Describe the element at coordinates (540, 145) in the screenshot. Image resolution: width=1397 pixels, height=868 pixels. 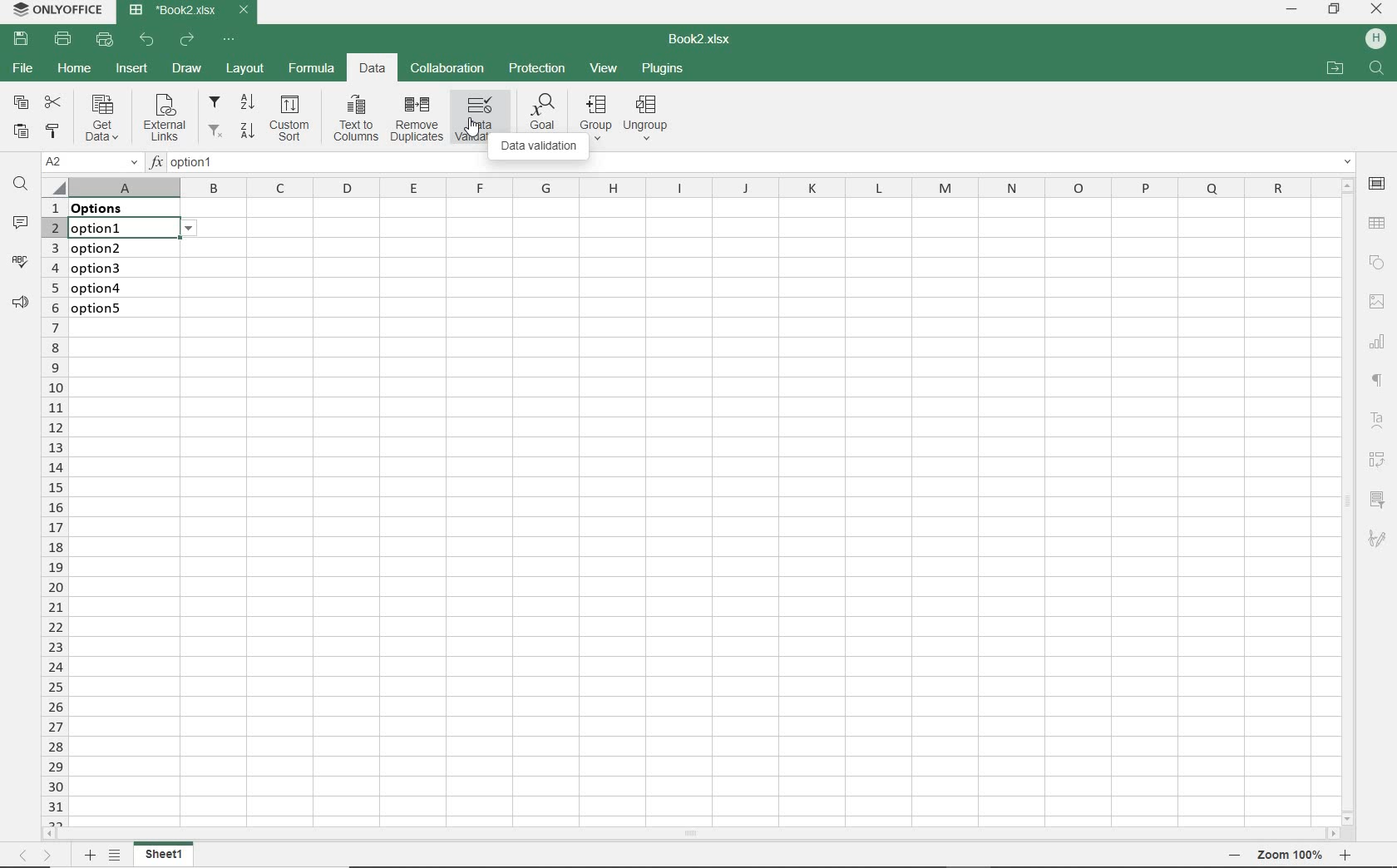
I see `DATA VALIDATION` at that location.